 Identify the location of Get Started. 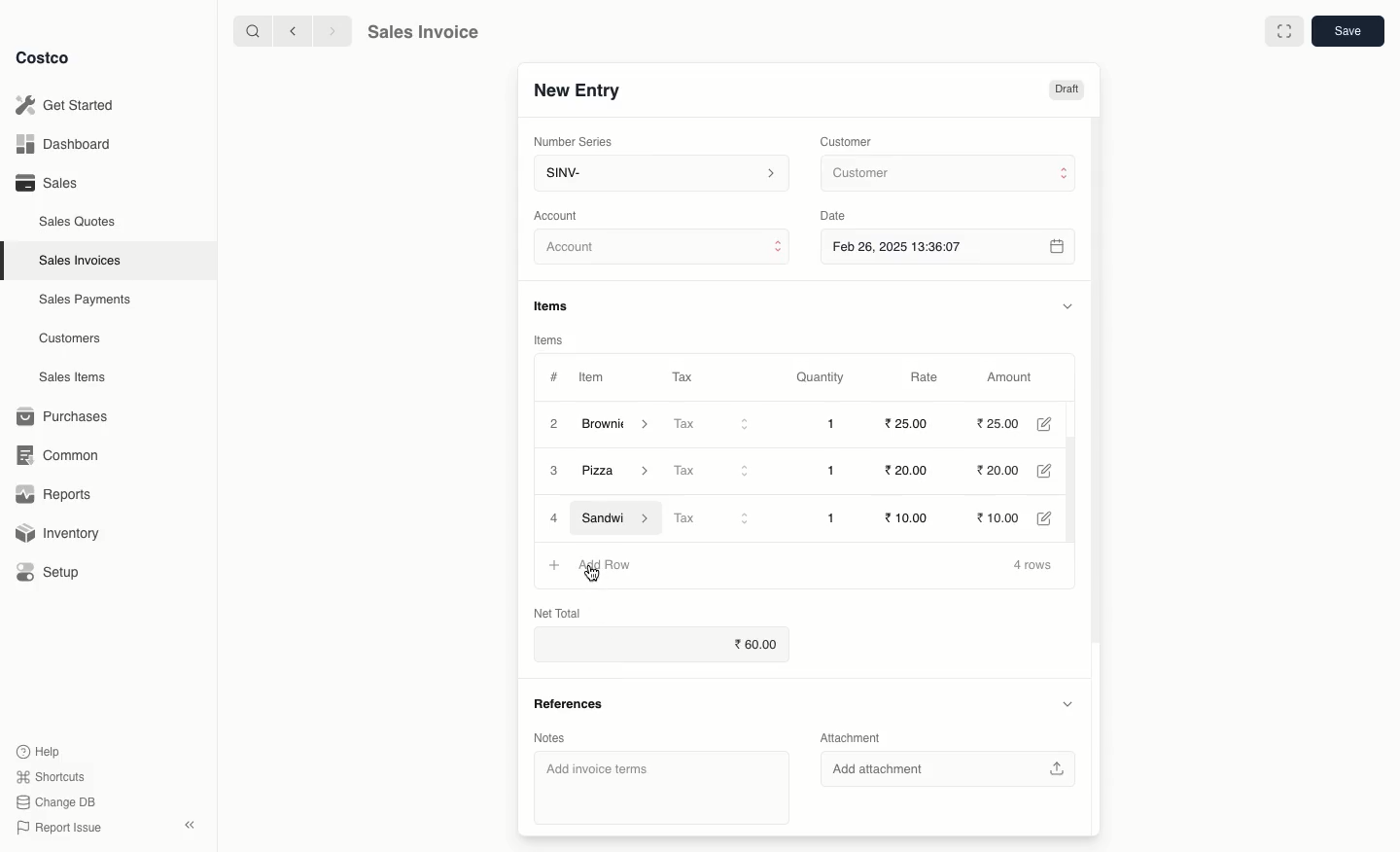
(64, 104).